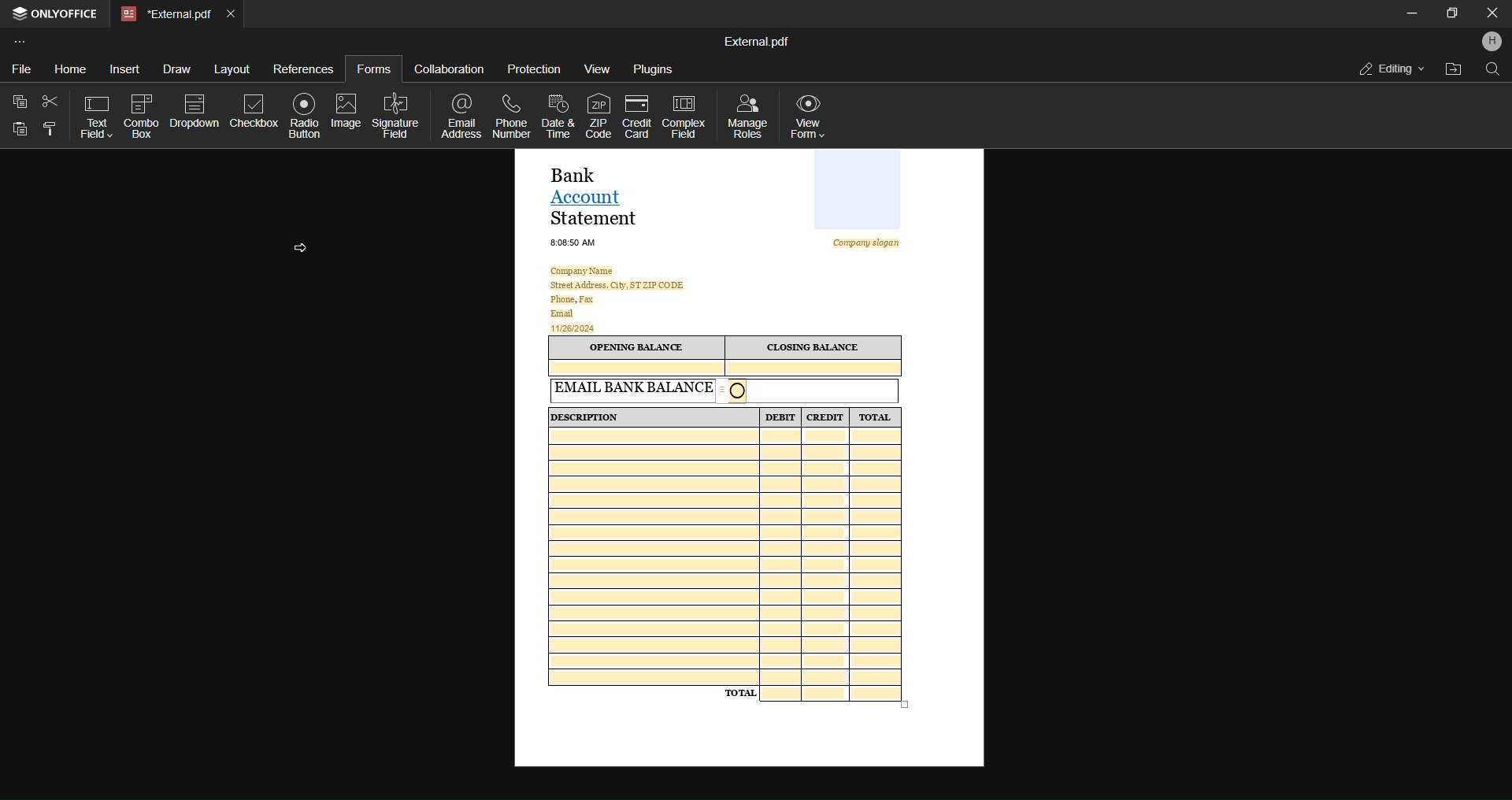 This screenshot has width=1512, height=800. Describe the element at coordinates (371, 66) in the screenshot. I see `forms` at that location.